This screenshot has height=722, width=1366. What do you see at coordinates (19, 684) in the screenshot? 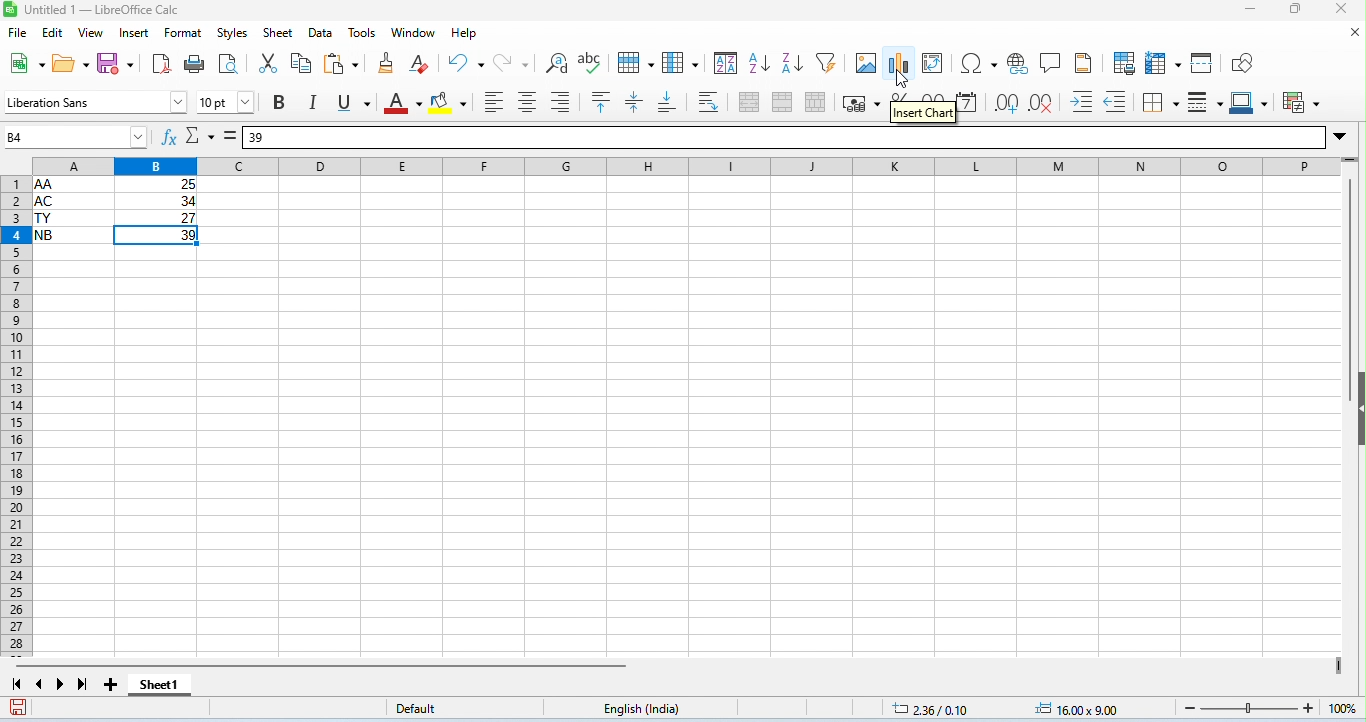
I see `first sheet` at bounding box center [19, 684].